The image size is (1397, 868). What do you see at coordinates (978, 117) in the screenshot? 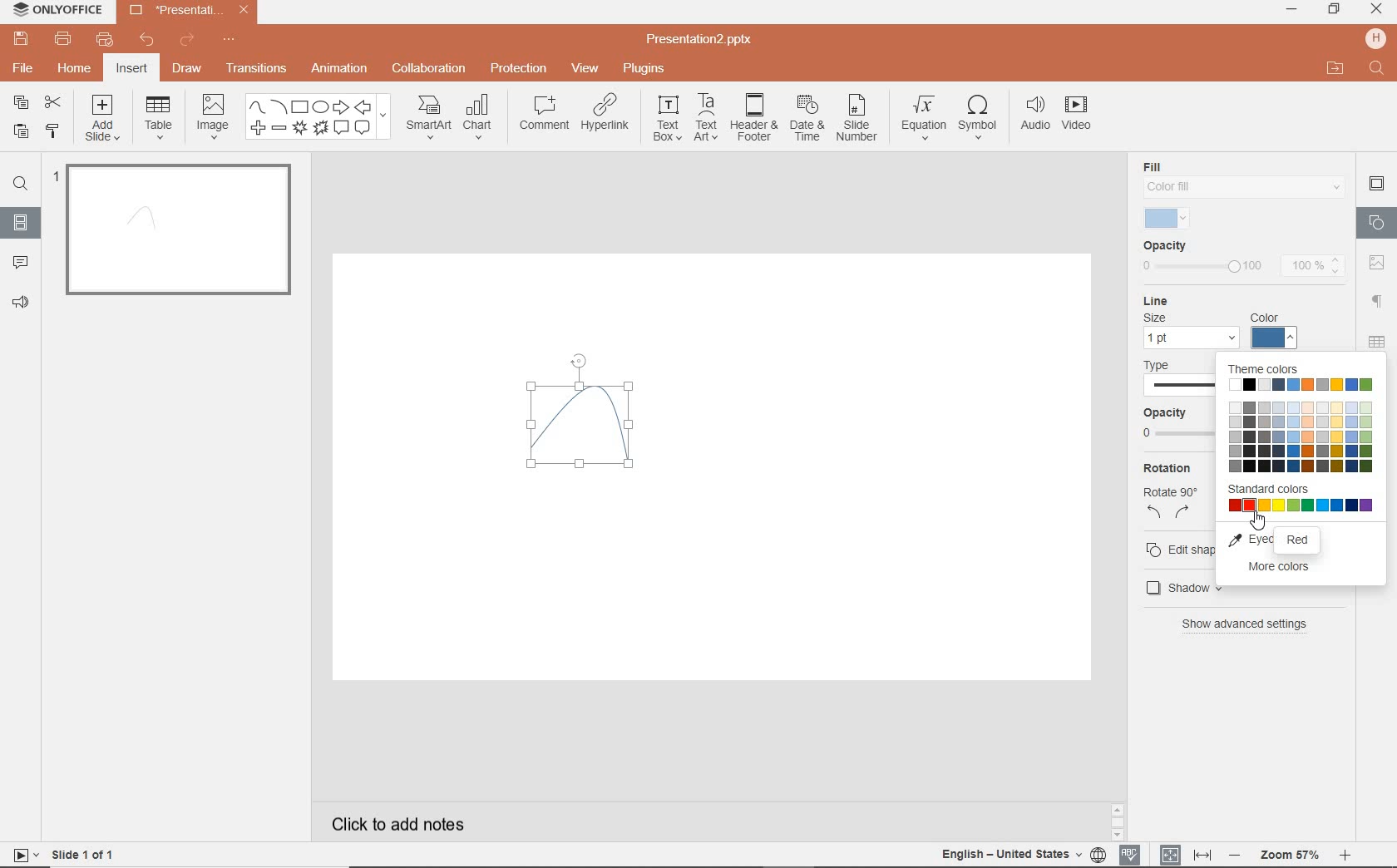
I see `SYMBOL` at bounding box center [978, 117].